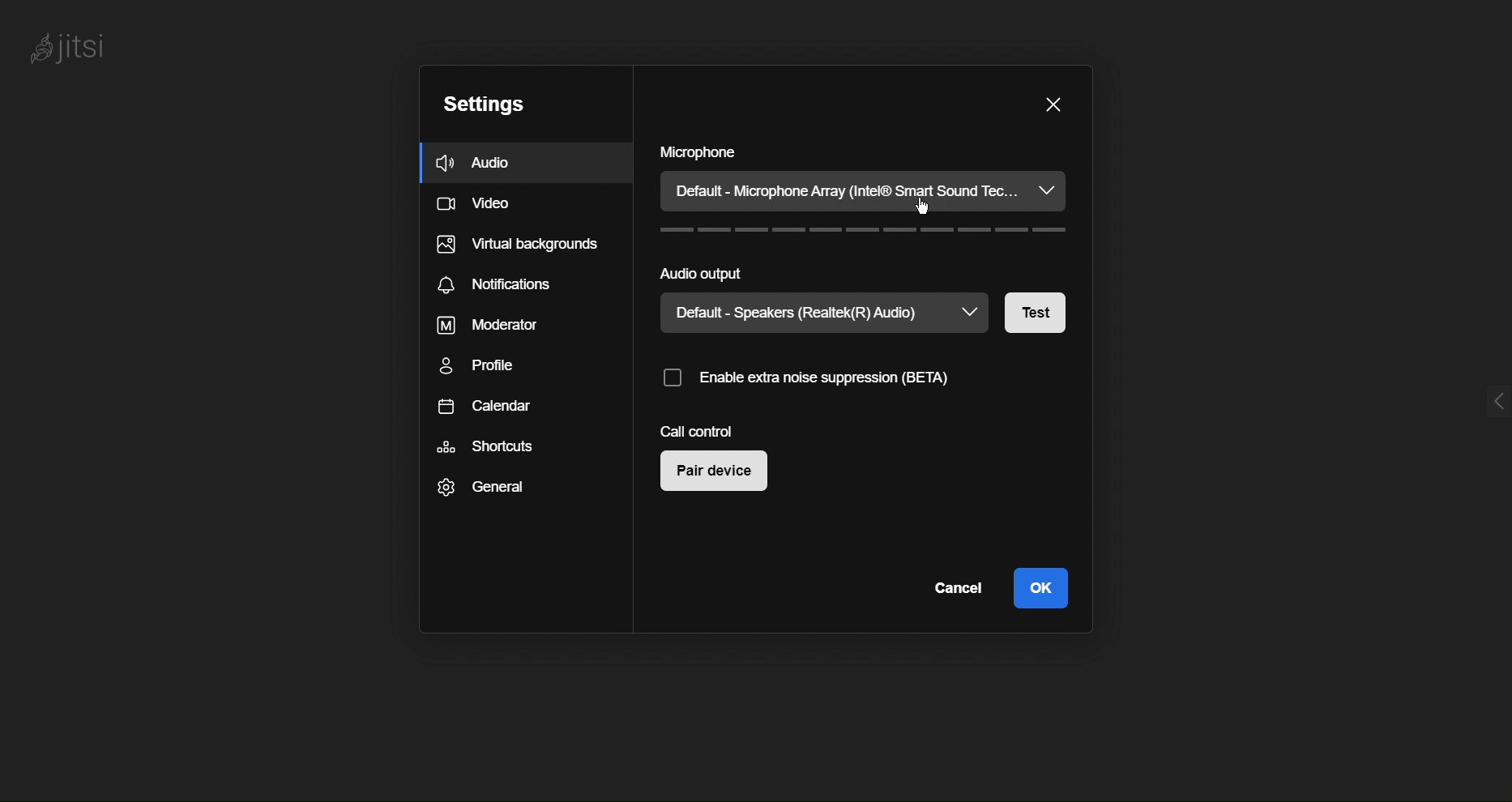 This screenshot has height=802, width=1512. Describe the element at coordinates (838, 379) in the screenshot. I see `Enable extra noise suppression(BETA)` at that location.